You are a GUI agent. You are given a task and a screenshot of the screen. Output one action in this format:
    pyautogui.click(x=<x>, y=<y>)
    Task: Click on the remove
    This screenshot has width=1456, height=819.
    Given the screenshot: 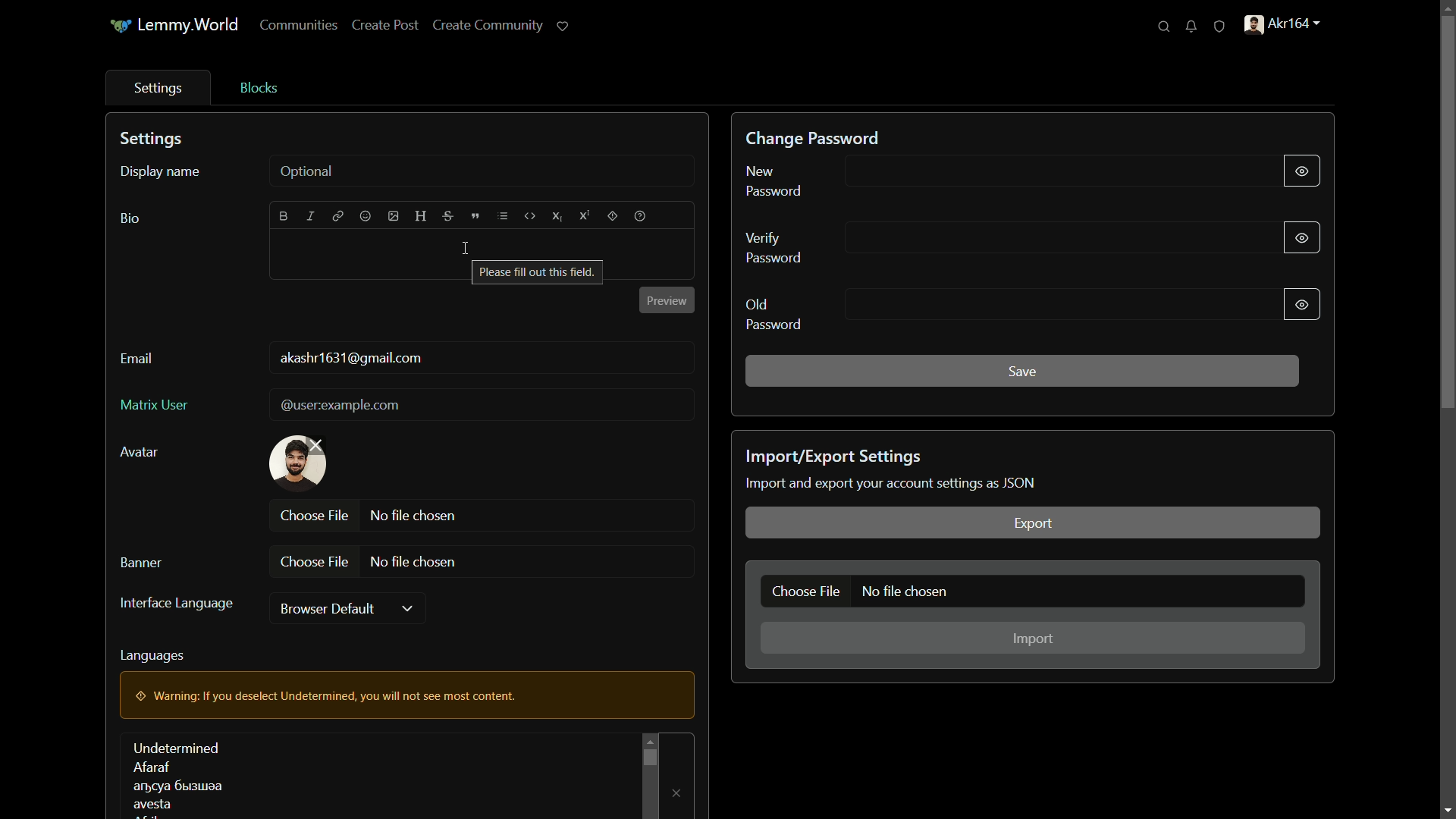 What is the action you would take?
    pyautogui.click(x=677, y=794)
    